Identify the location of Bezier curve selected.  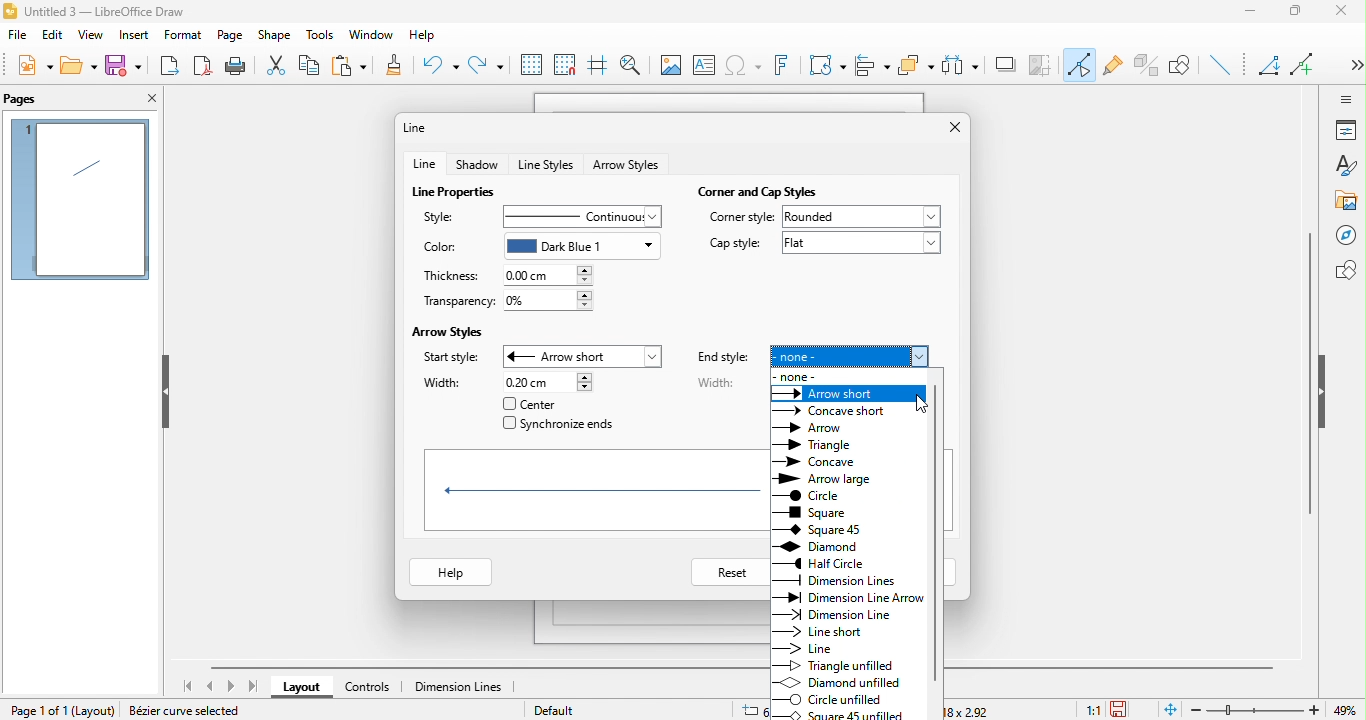
(191, 712).